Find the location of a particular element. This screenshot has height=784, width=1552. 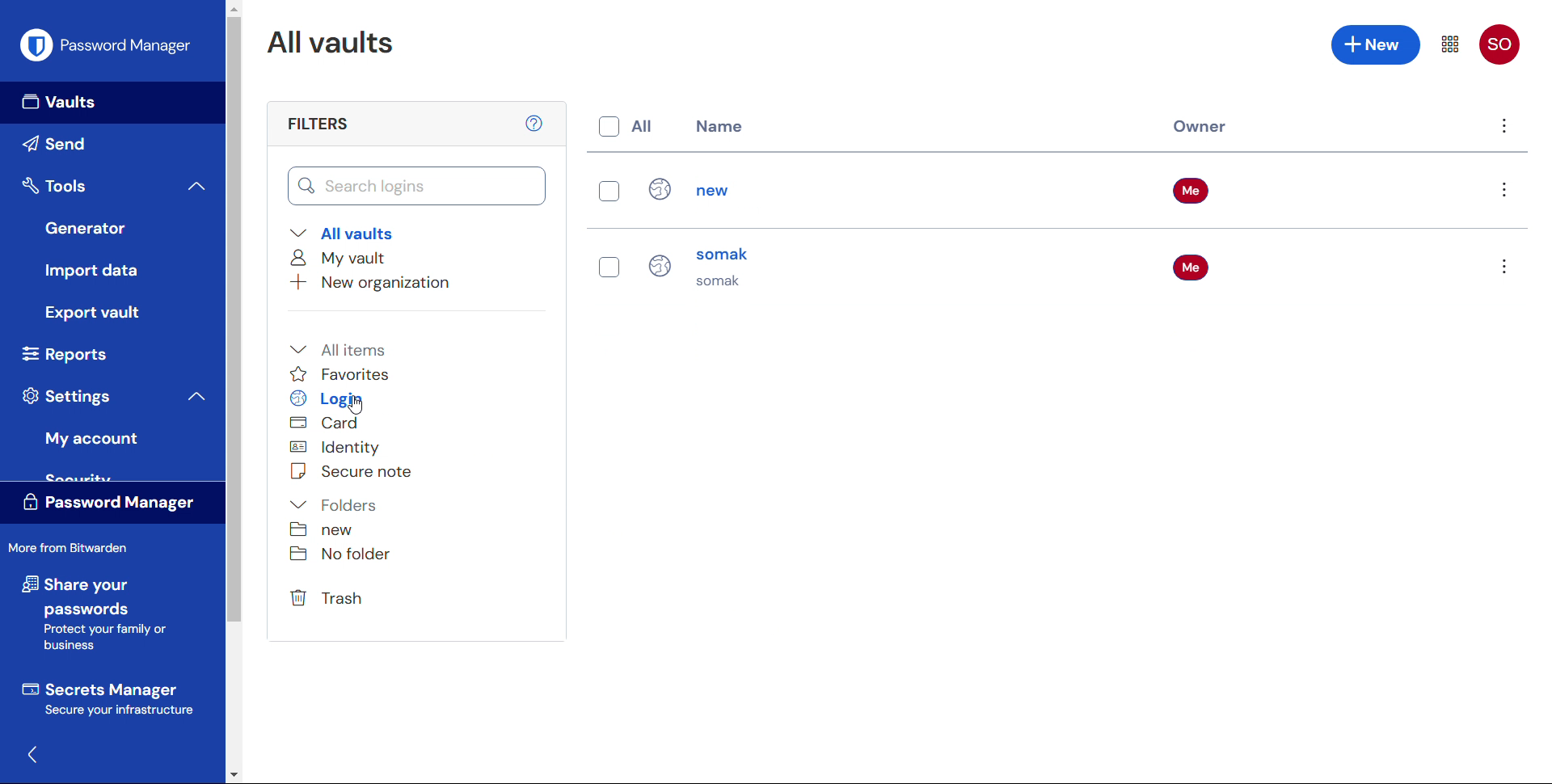

Collapse settings menu  is located at coordinates (194, 397).